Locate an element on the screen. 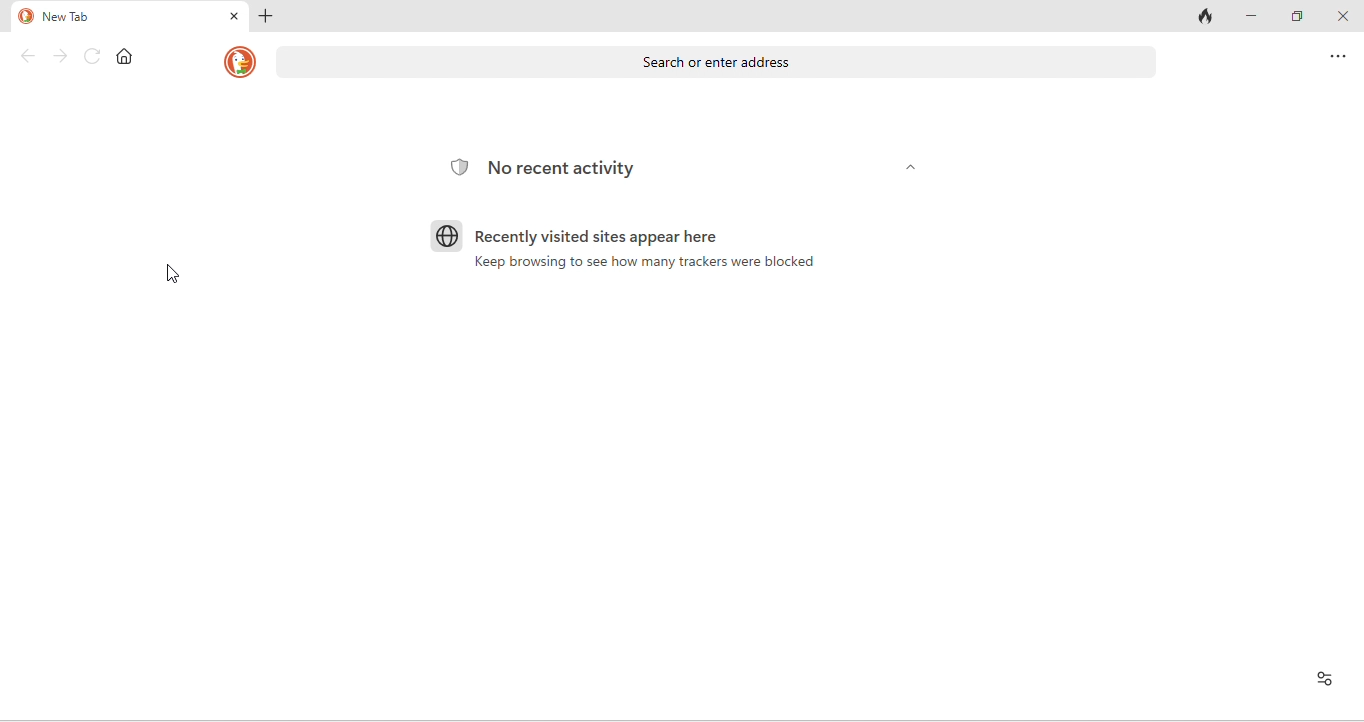  forward is located at coordinates (61, 57).